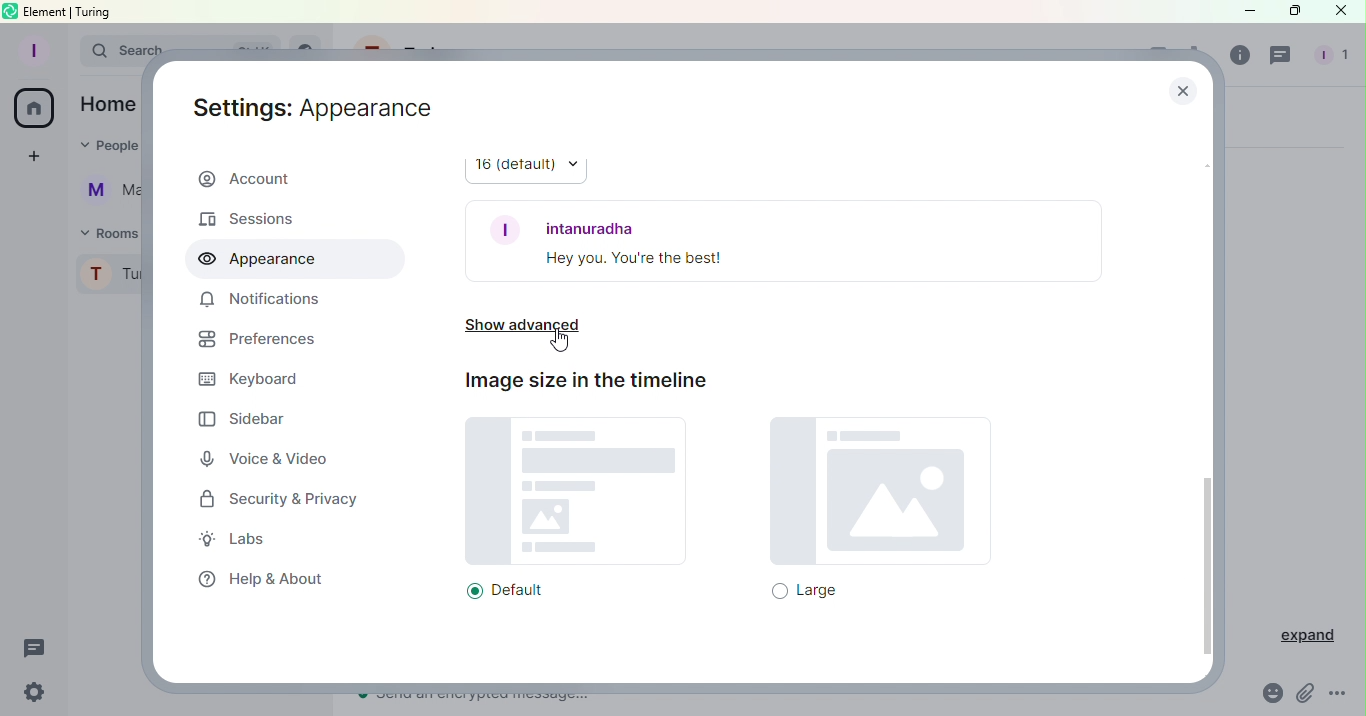  I want to click on Room info, so click(1239, 54).